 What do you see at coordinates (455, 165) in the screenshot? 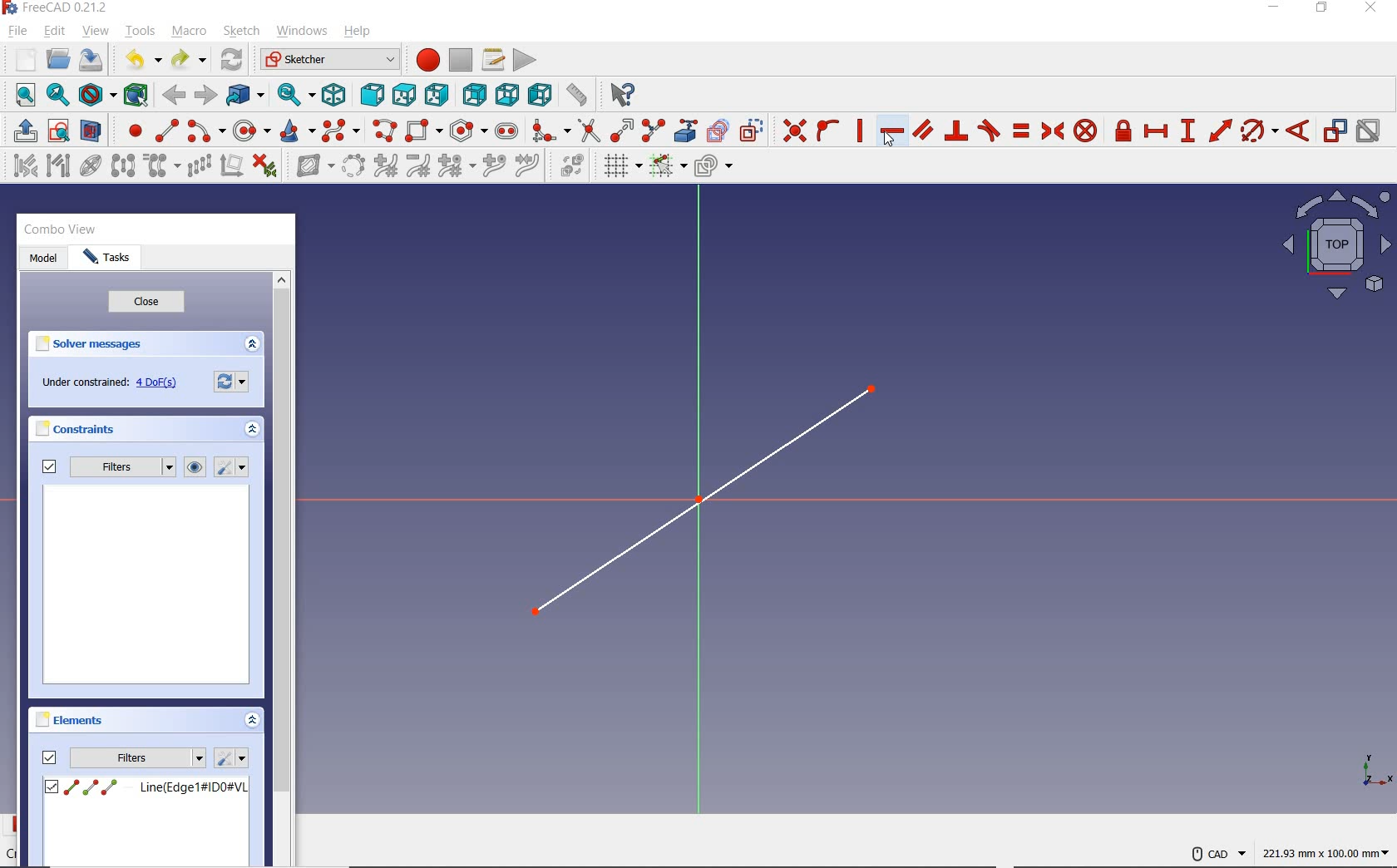
I see `MODIFY KNOT MULTIPLICITY` at bounding box center [455, 165].